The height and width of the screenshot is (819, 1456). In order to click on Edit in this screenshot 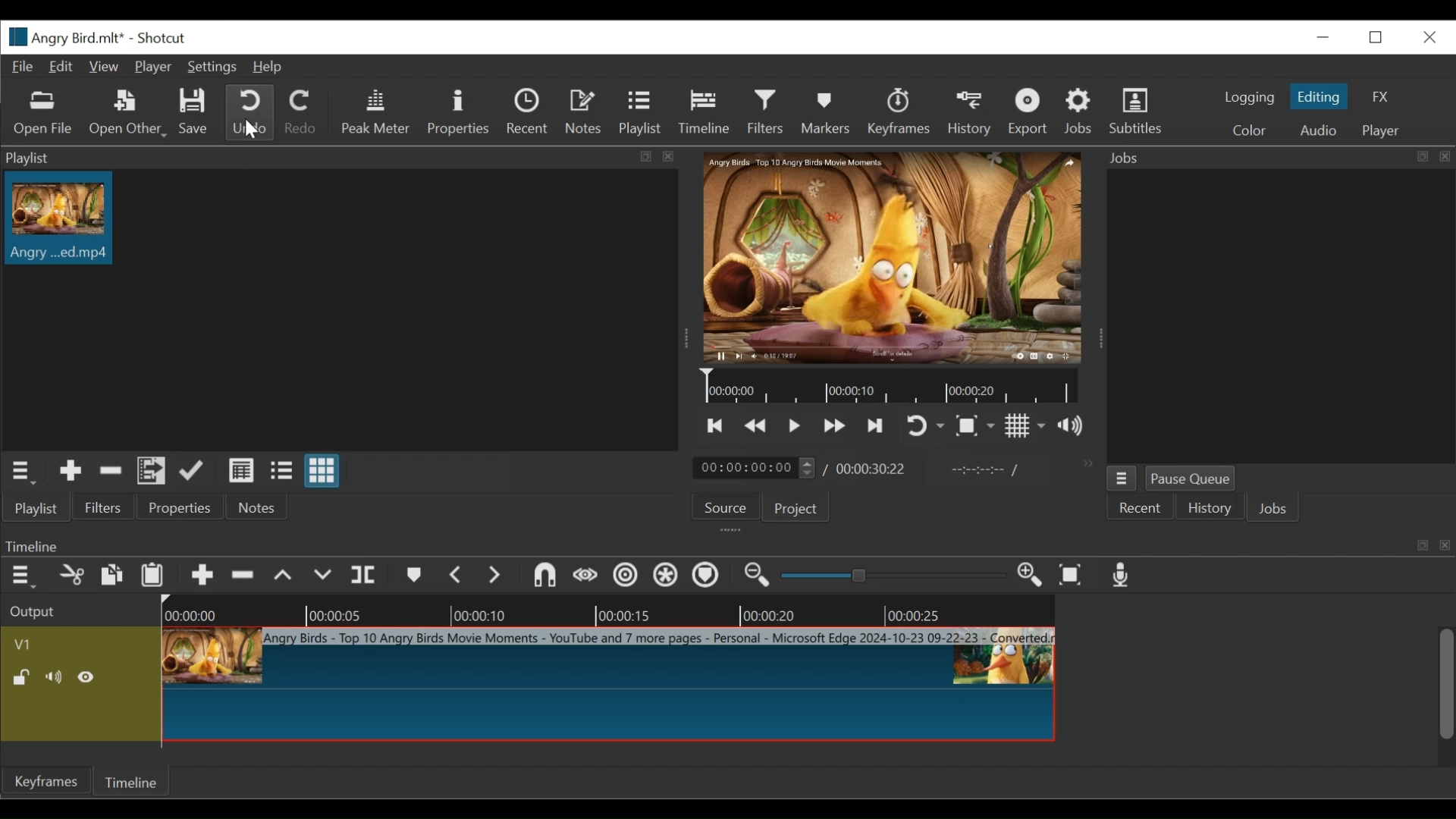, I will do `click(62, 67)`.